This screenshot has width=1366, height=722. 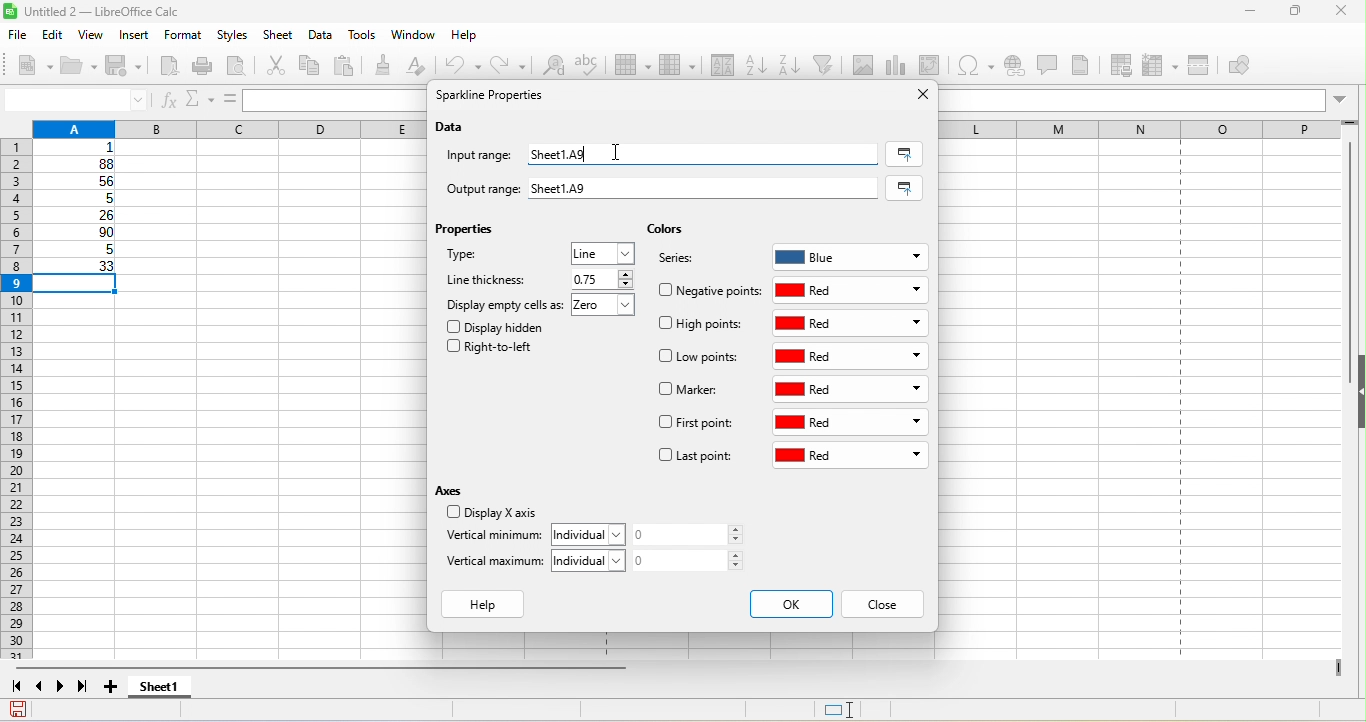 I want to click on red, so click(x=854, y=389).